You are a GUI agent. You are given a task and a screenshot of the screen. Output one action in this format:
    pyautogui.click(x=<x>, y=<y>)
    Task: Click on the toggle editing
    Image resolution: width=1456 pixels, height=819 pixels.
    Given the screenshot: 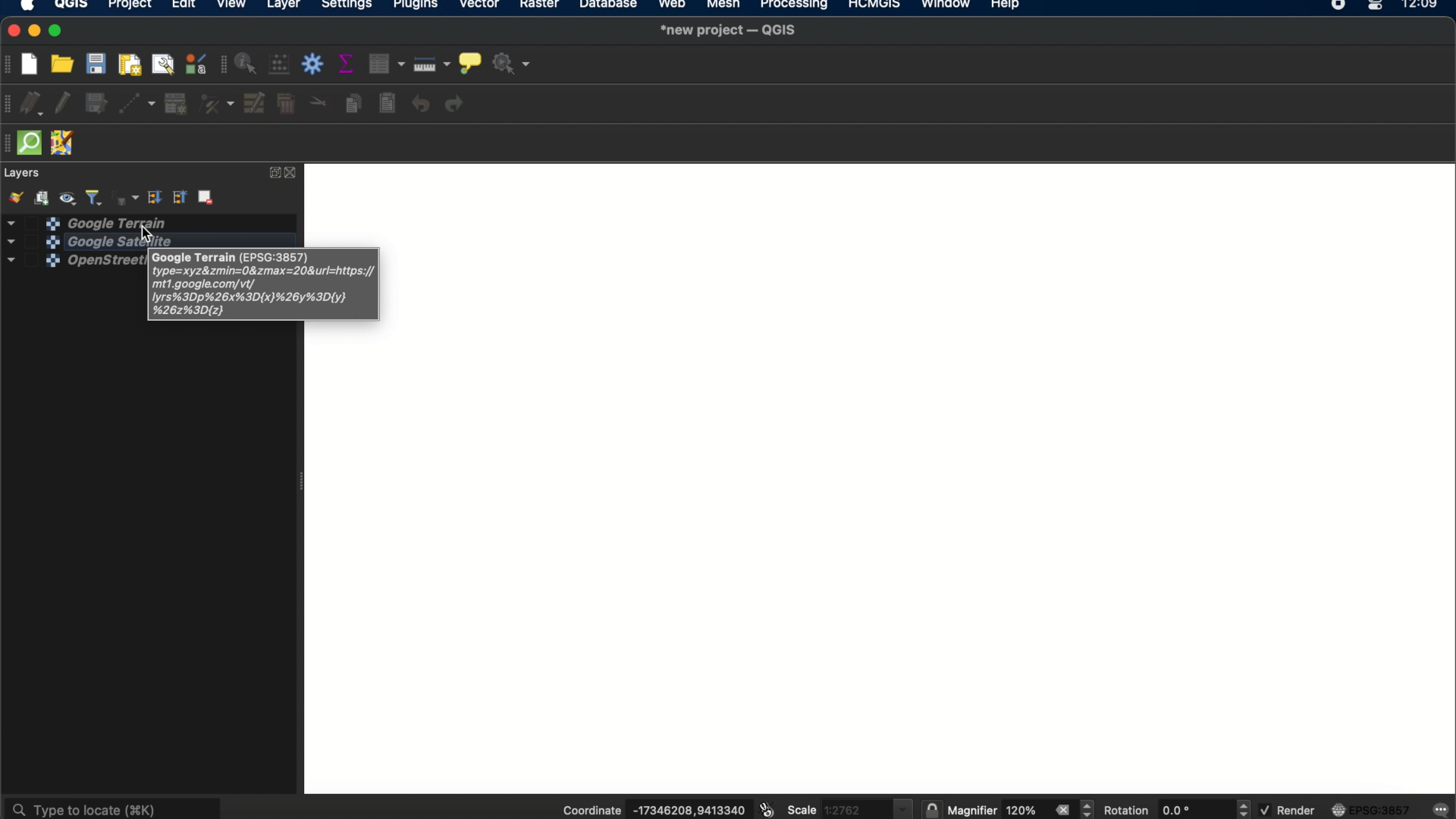 What is the action you would take?
    pyautogui.click(x=63, y=105)
    